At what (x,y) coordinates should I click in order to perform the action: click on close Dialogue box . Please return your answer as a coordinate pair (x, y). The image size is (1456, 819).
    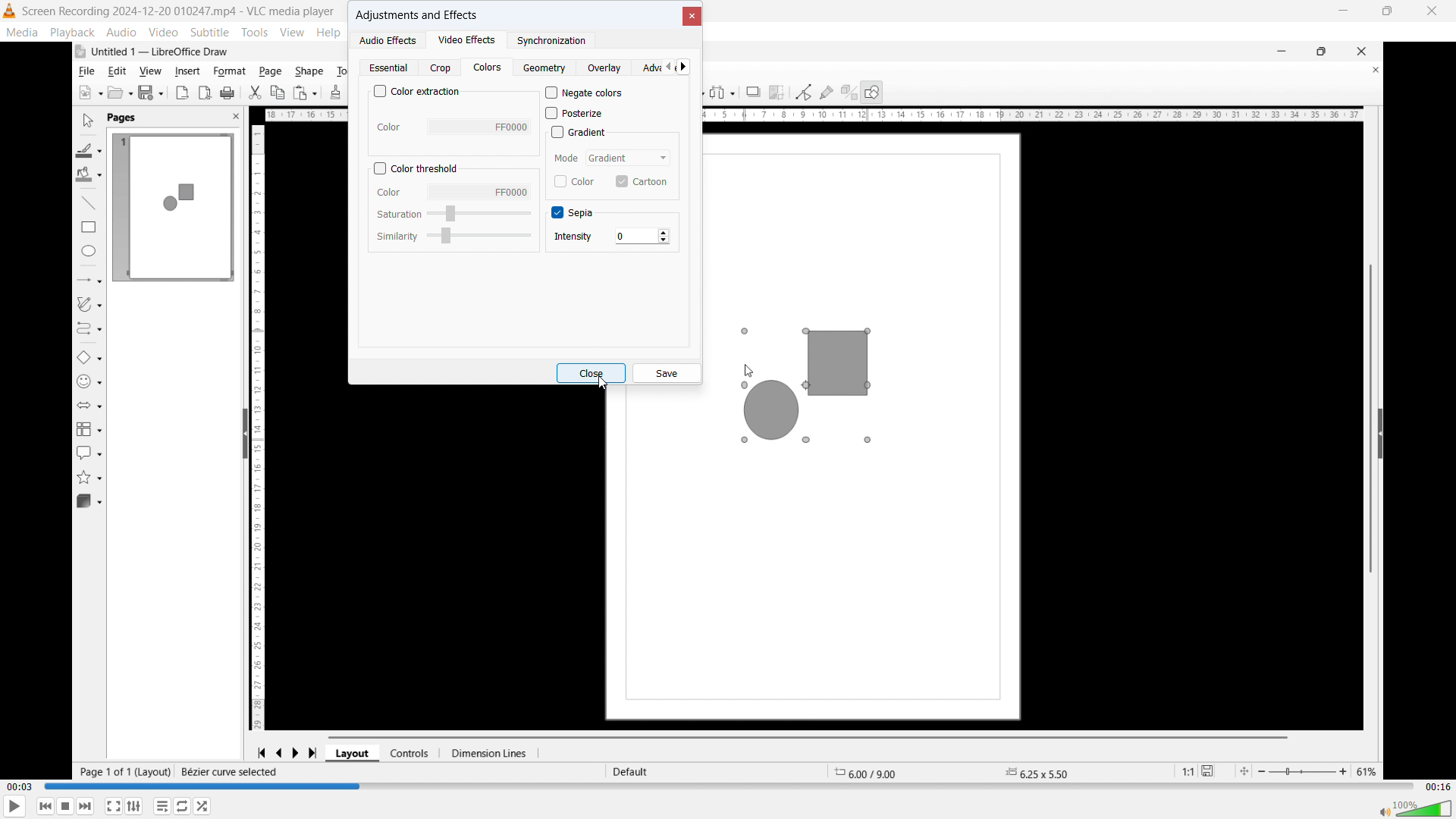
    Looking at the image, I should click on (693, 17).